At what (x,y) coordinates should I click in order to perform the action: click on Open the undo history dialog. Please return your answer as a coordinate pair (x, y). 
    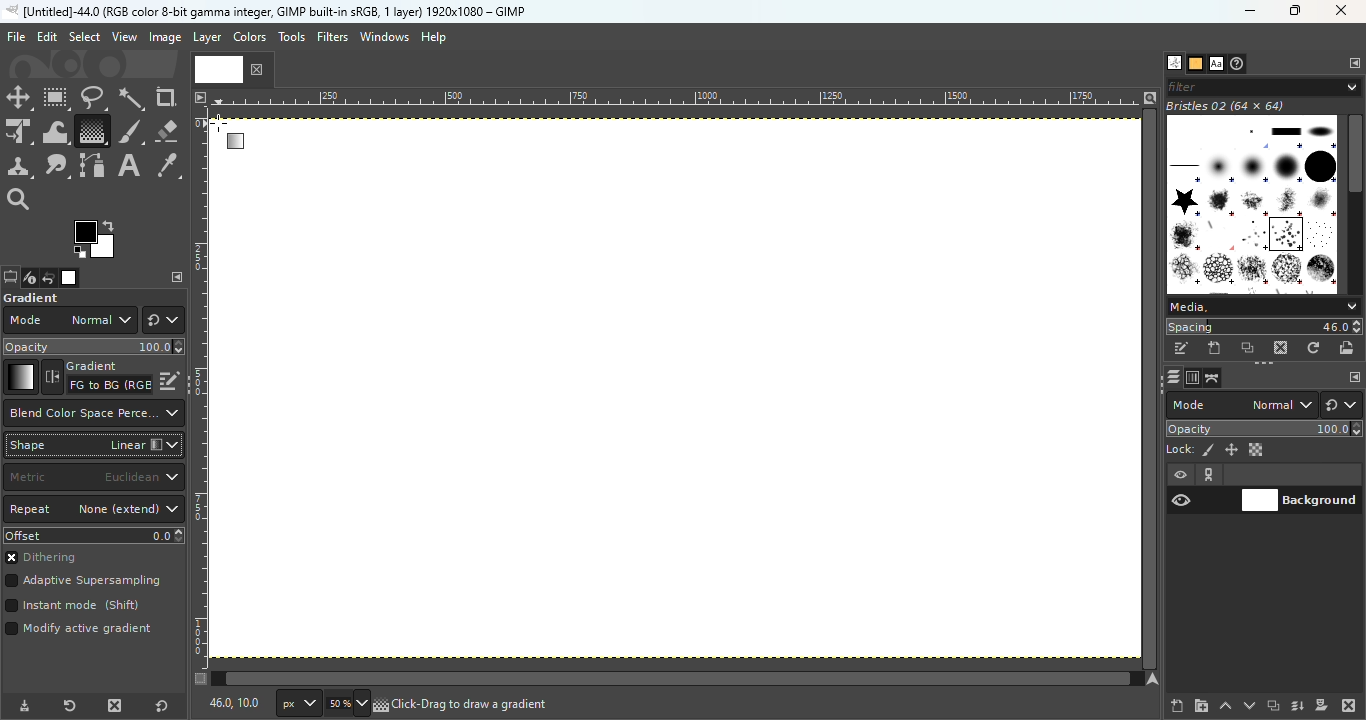
    Looking at the image, I should click on (49, 277).